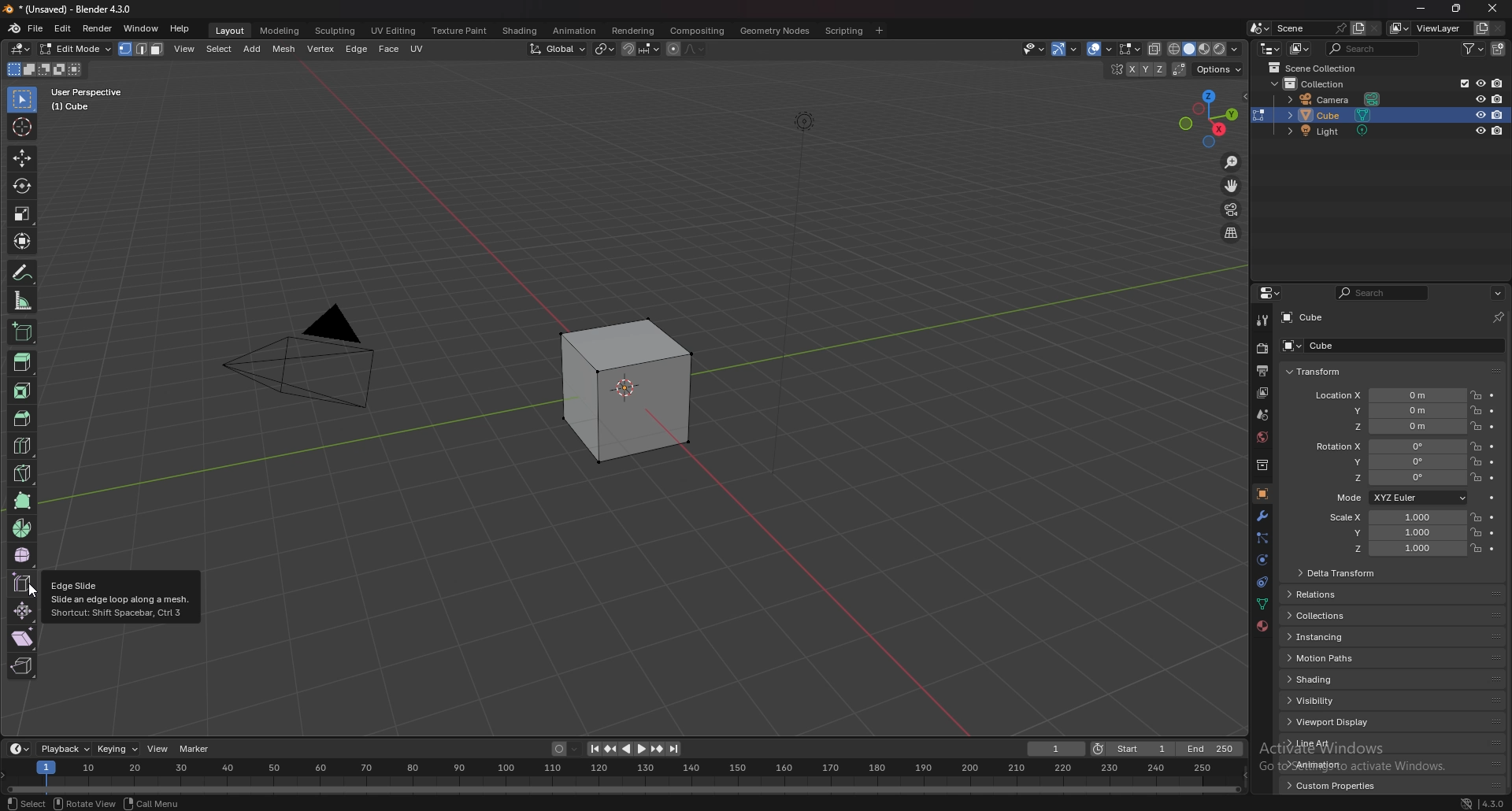  I want to click on window, so click(141, 28).